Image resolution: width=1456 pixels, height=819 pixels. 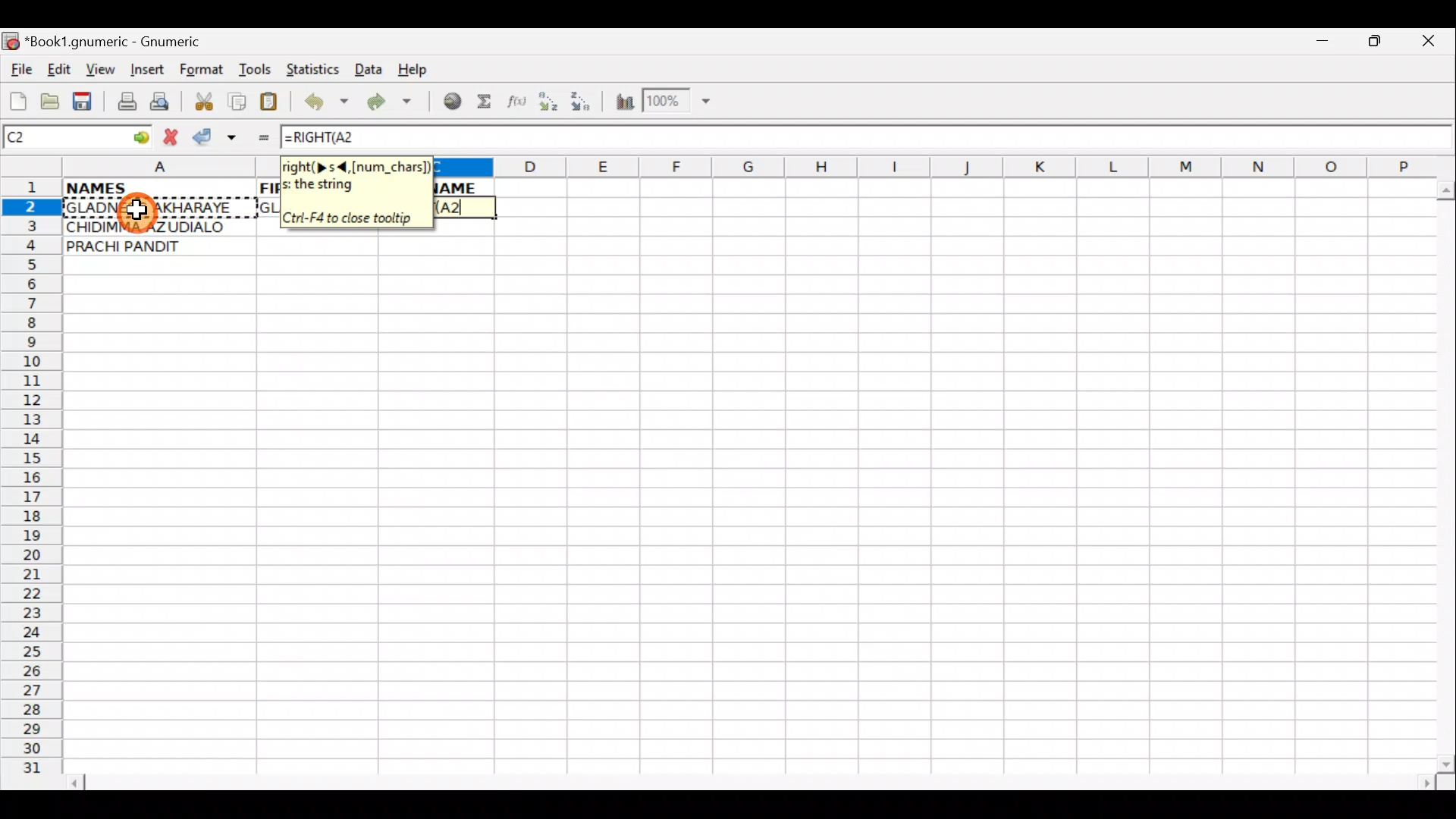 I want to click on Insert Chart, so click(x=620, y=104).